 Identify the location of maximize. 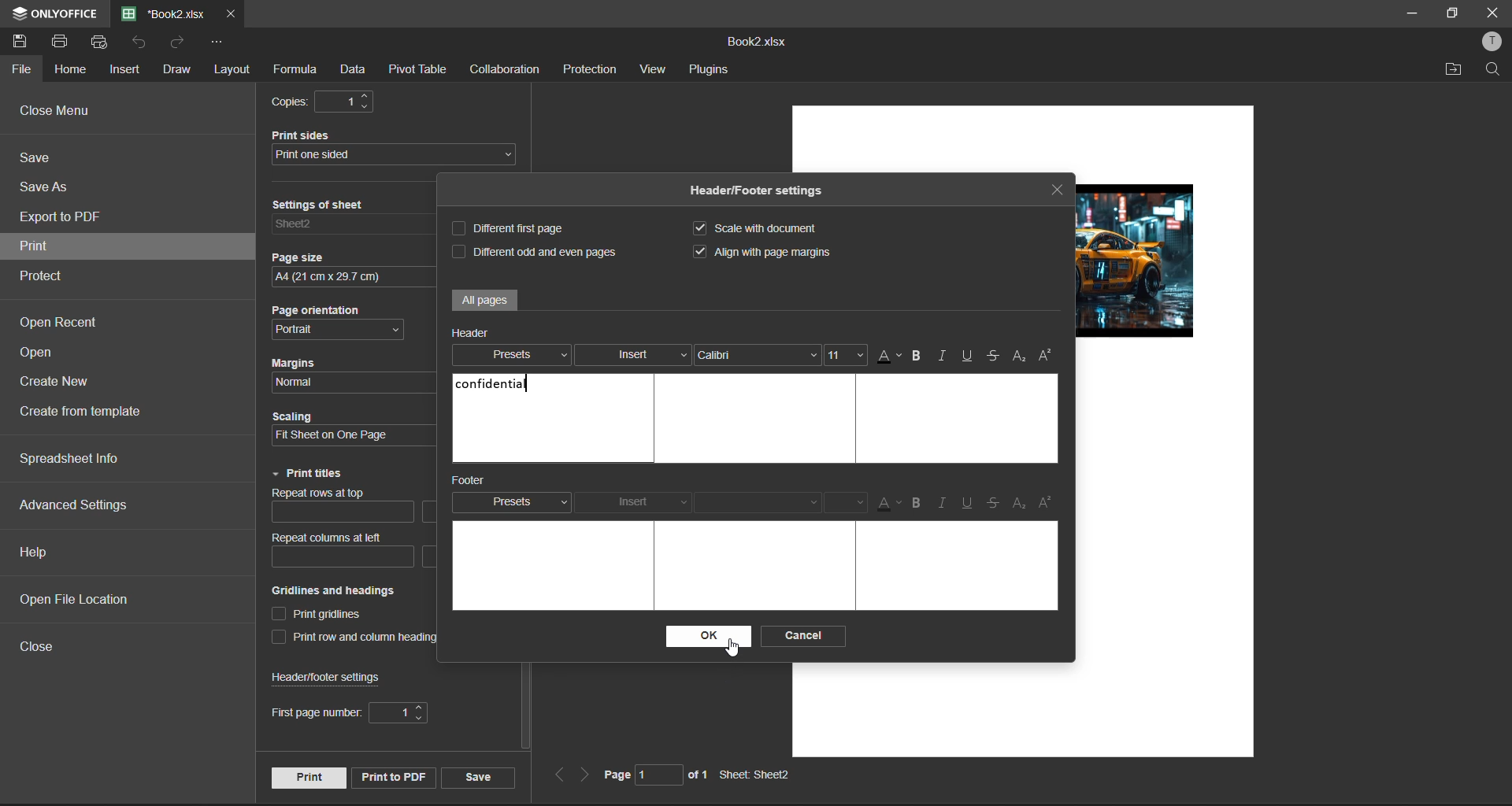
(1451, 13).